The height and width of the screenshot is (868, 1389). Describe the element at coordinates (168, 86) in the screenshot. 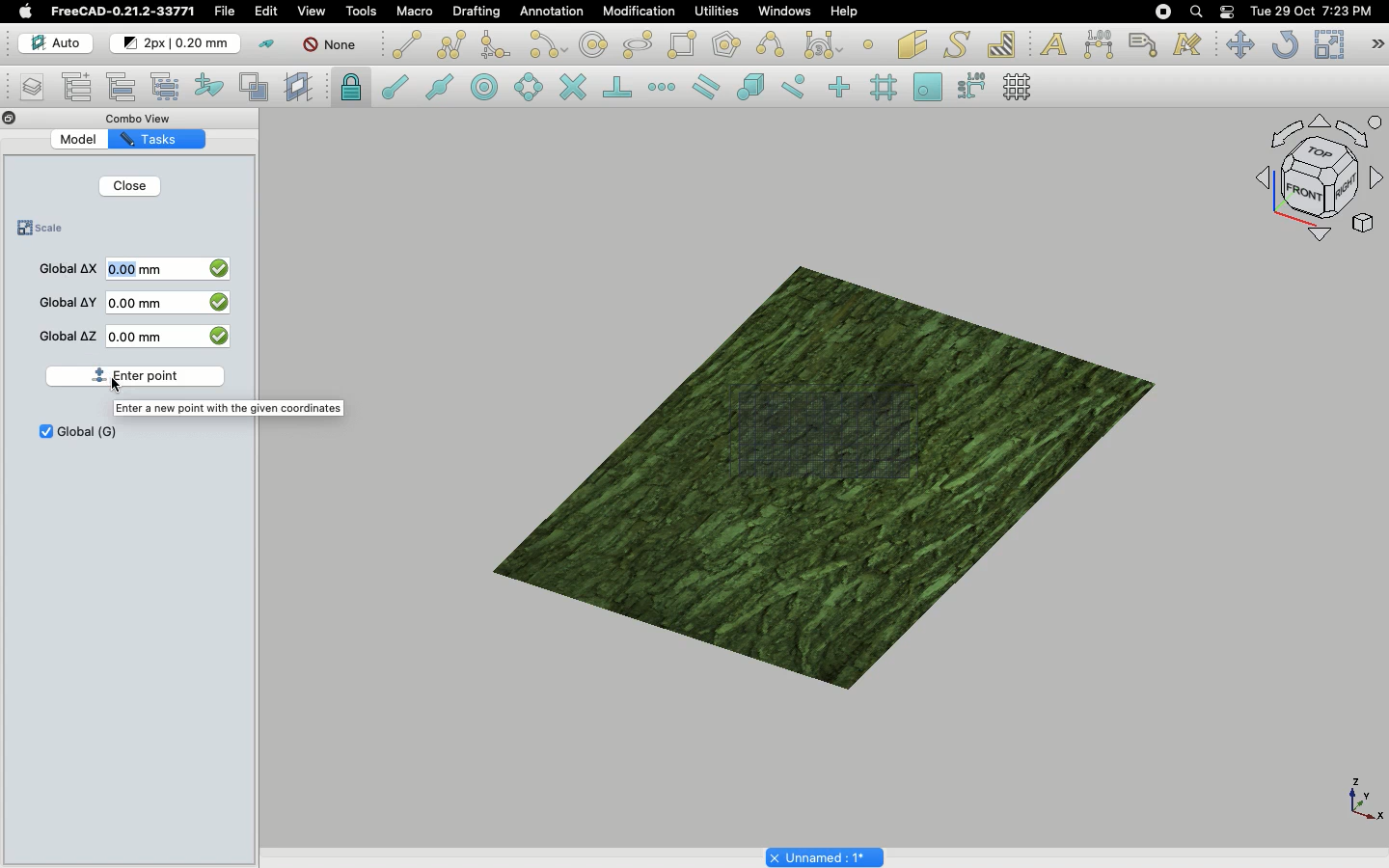

I see `Select group` at that location.